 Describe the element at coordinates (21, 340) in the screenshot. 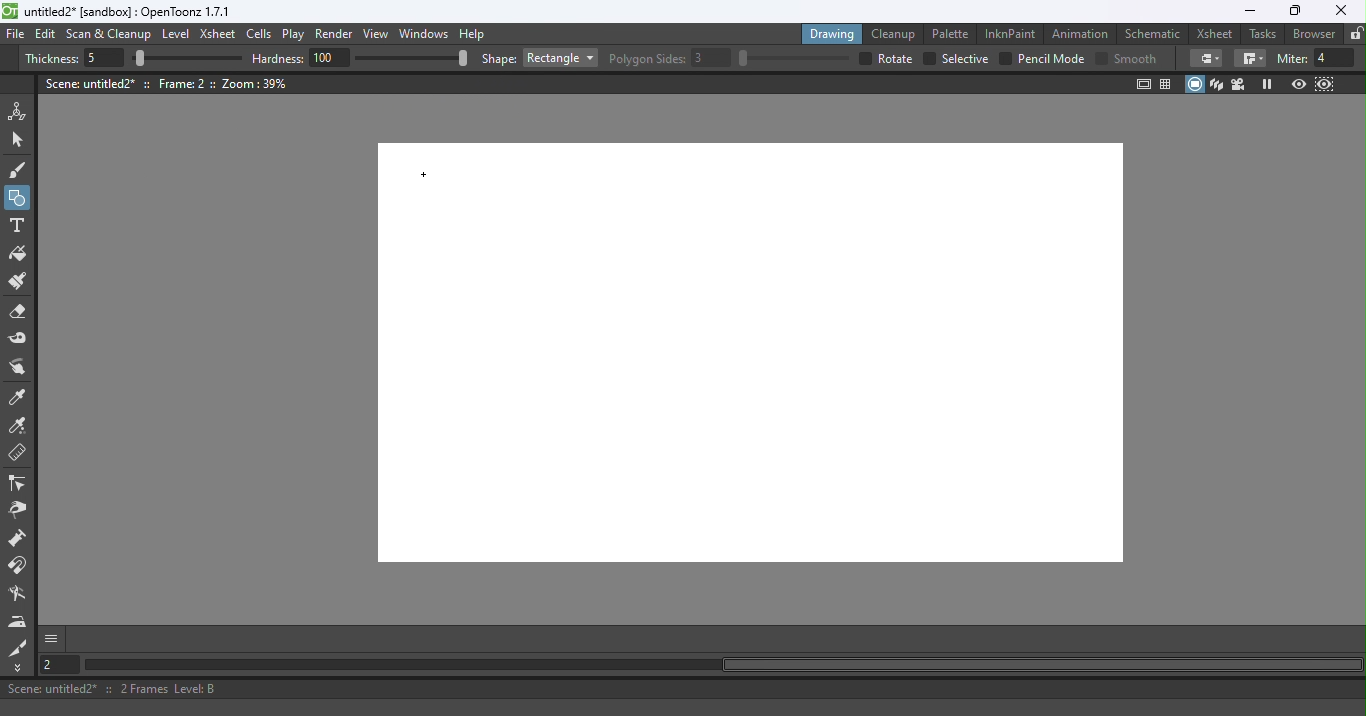

I see `Tape tool` at that location.